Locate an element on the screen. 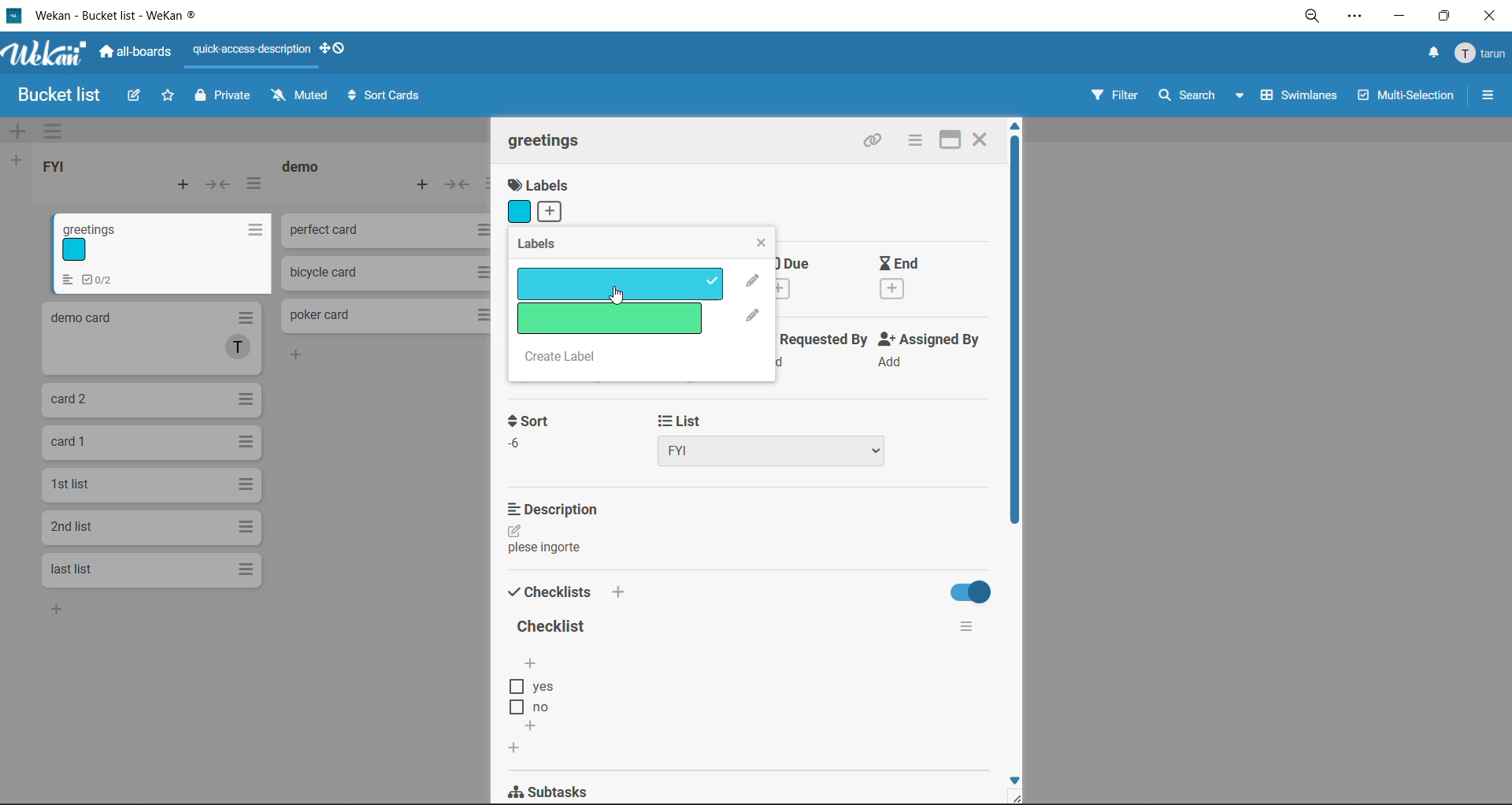  maximize is located at coordinates (1447, 14).